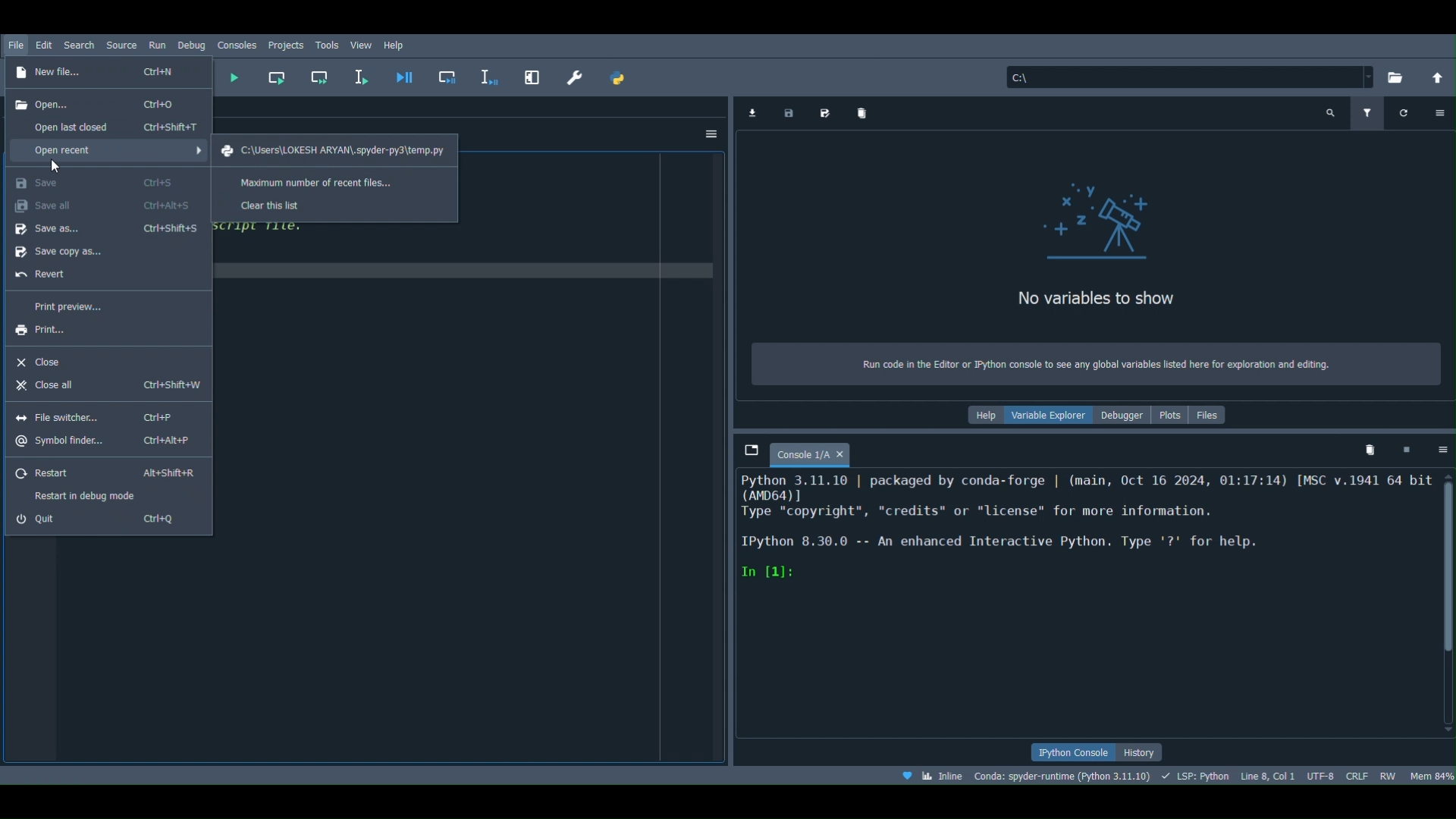  What do you see at coordinates (529, 75) in the screenshot?
I see `Maximize current pane (Ctrl + Alt + Shift + M)` at bounding box center [529, 75].